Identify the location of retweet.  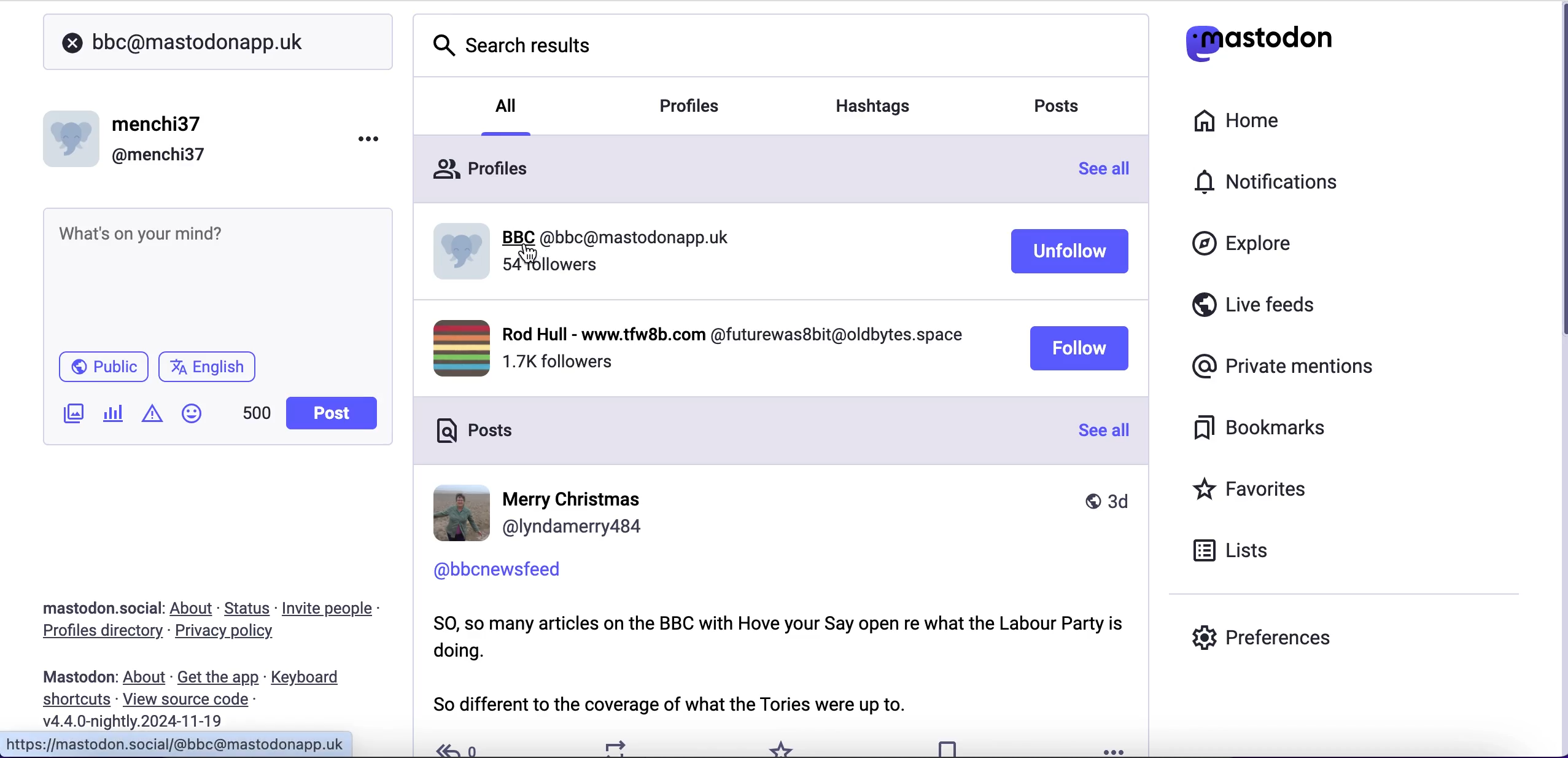
(618, 748).